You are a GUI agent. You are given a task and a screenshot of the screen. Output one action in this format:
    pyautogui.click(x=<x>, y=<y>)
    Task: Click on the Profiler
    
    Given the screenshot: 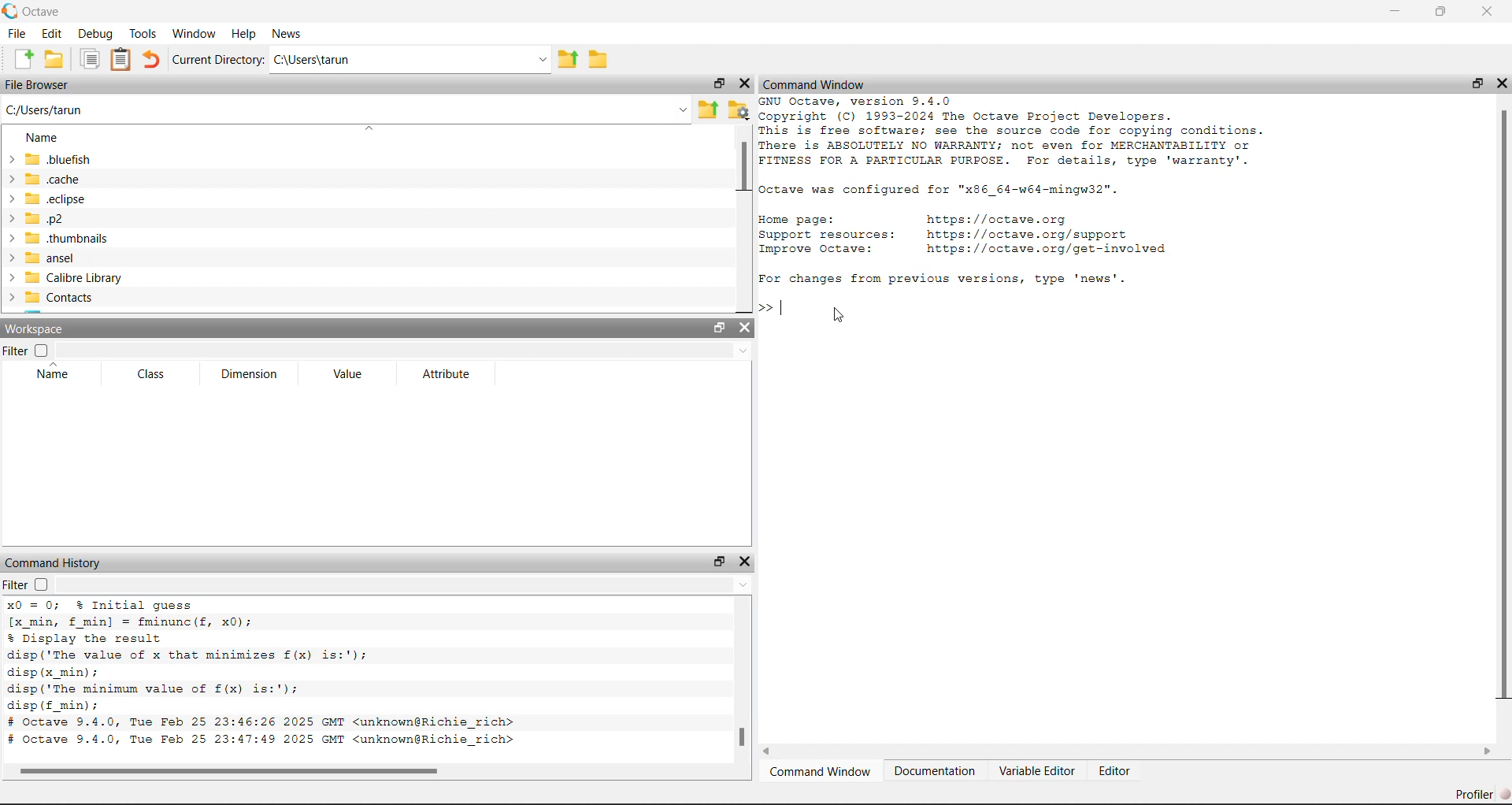 What is the action you would take?
    pyautogui.click(x=1474, y=789)
    